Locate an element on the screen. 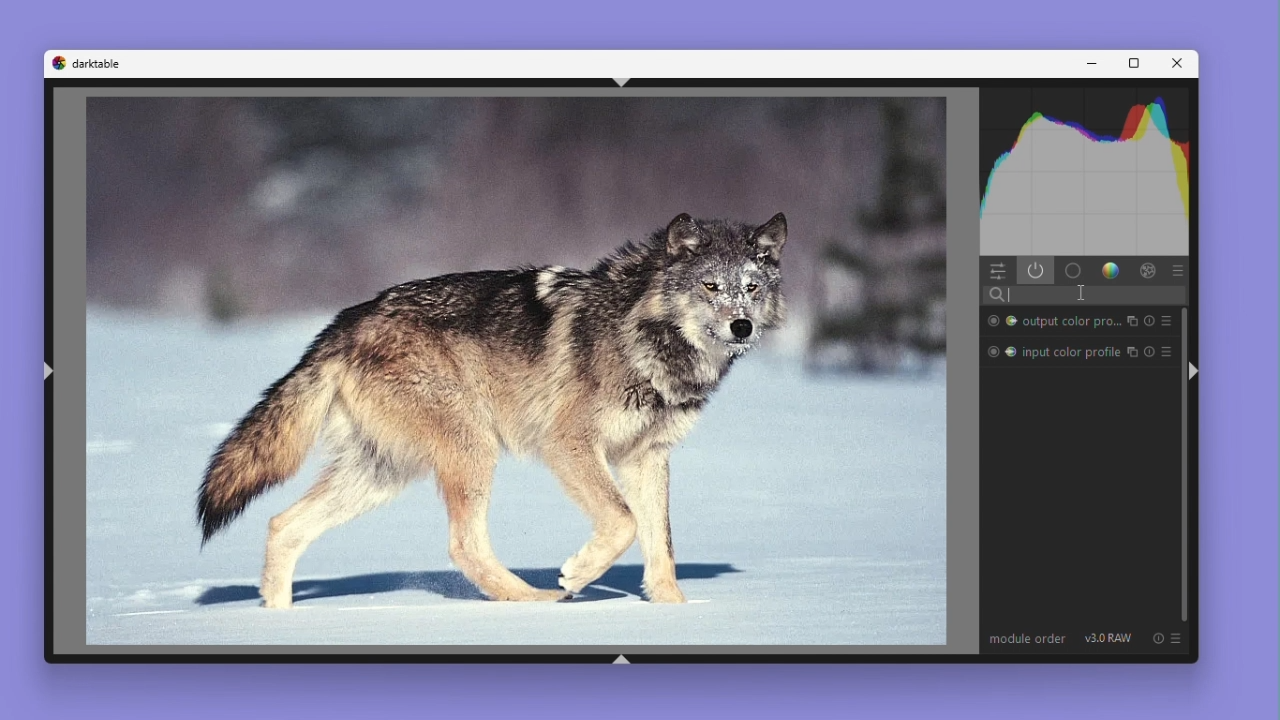 The height and width of the screenshot is (720, 1280). cursor is located at coordinates (1081, 293).